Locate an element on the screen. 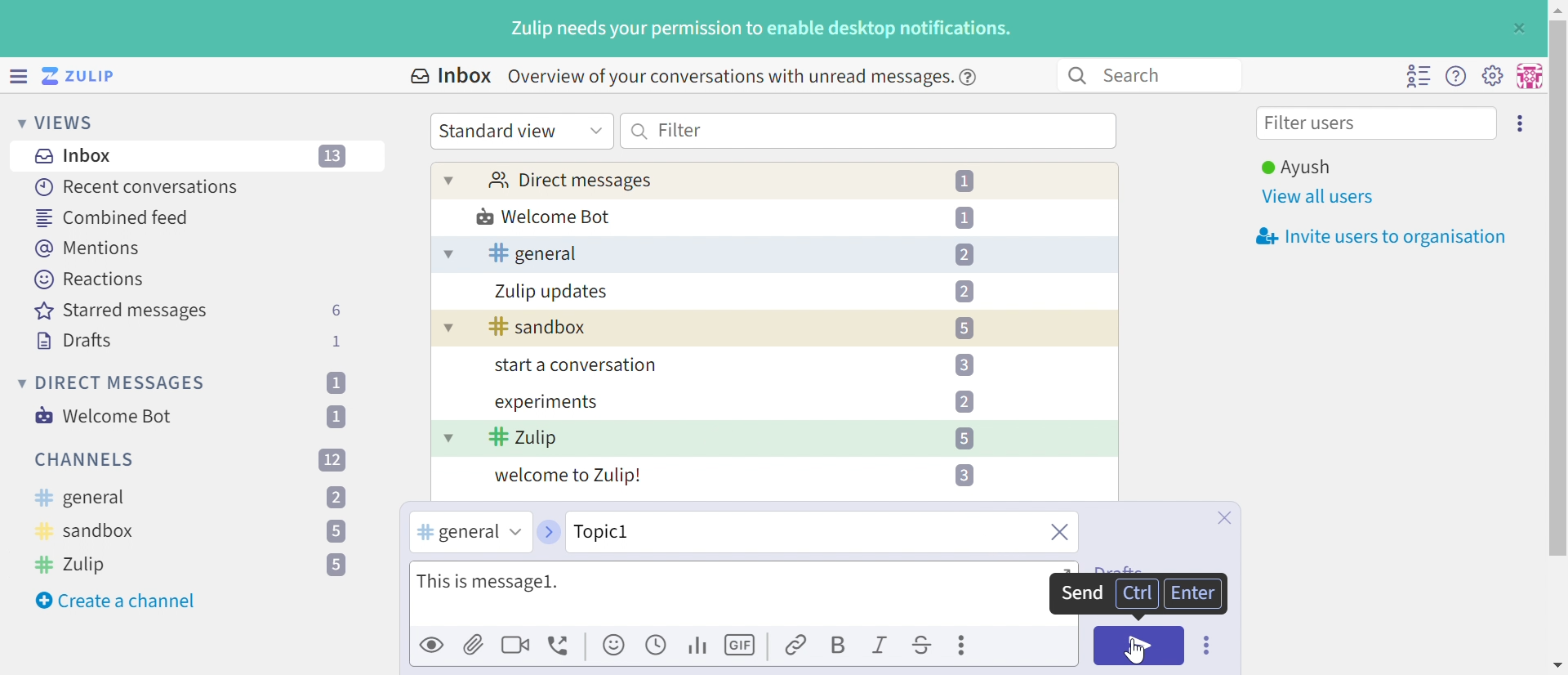 Image resolution: width=1568 pixels, height=675 pixels. Help menu is located at coordinates (1456, 77).